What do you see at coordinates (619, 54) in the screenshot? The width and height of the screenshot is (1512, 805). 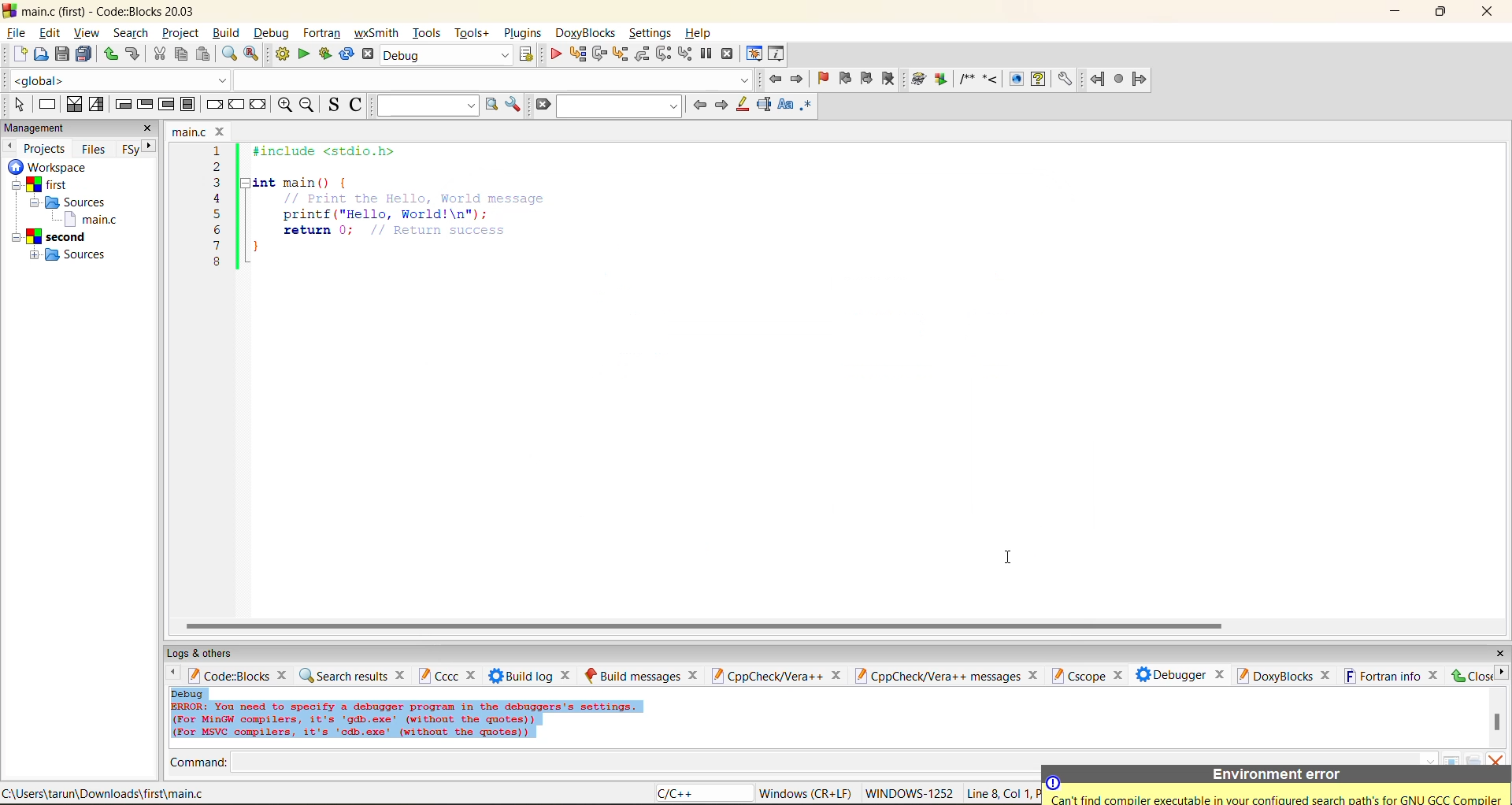 I see `step into` at bounding box center [619, 54].